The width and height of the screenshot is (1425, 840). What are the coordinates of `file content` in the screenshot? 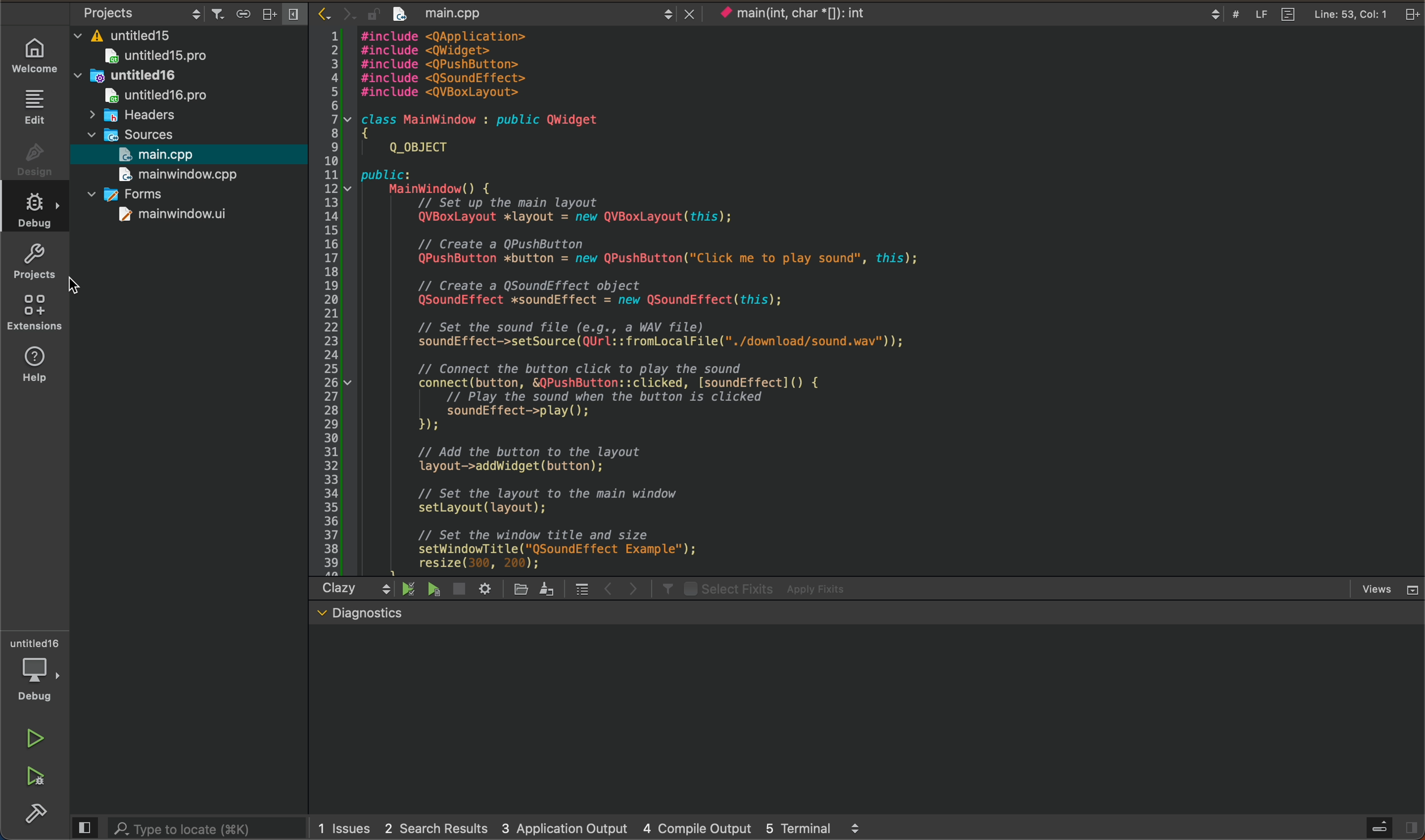 It's located at (649, 302).